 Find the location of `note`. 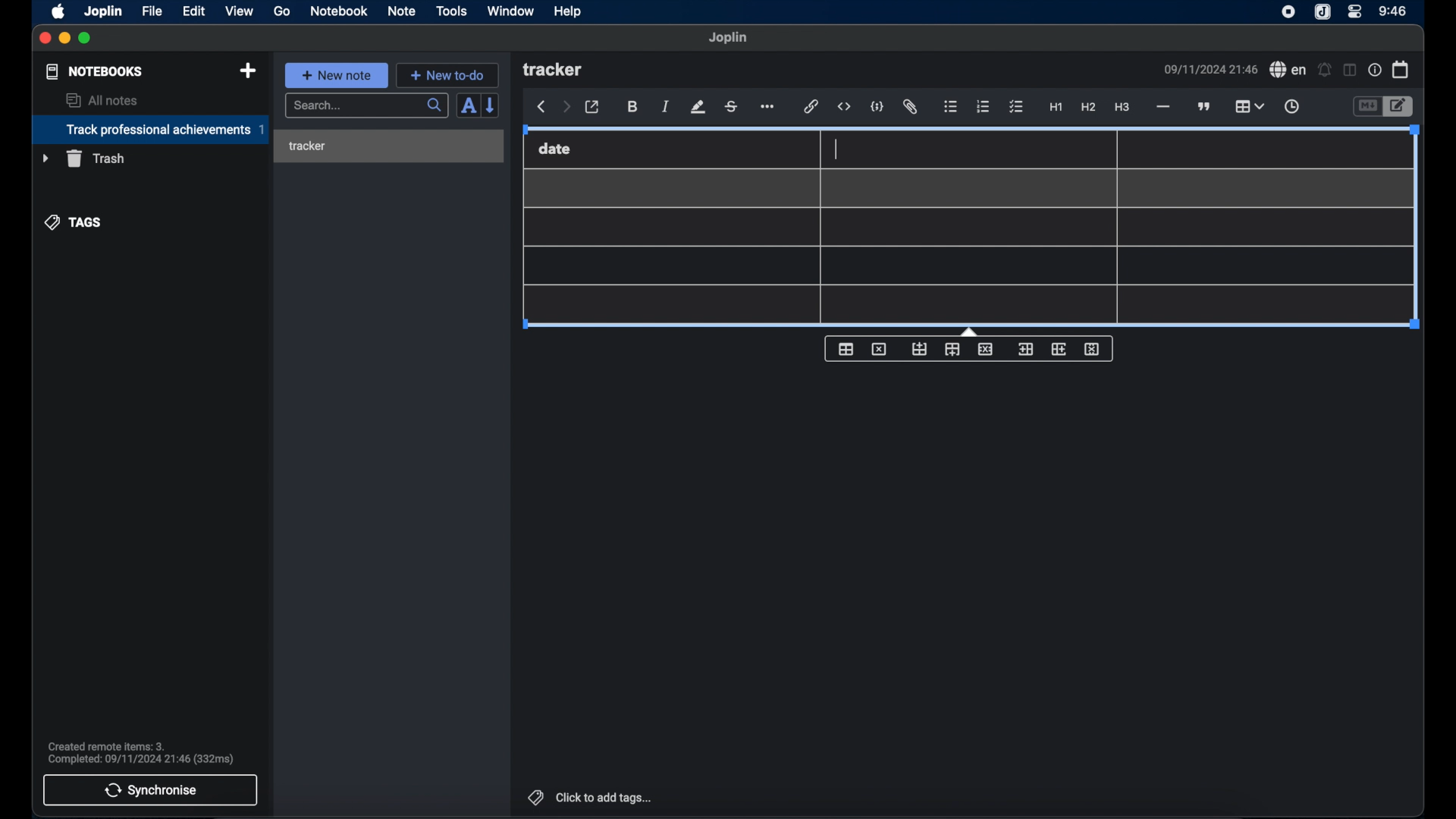

note is located at coordinates (401, 11).